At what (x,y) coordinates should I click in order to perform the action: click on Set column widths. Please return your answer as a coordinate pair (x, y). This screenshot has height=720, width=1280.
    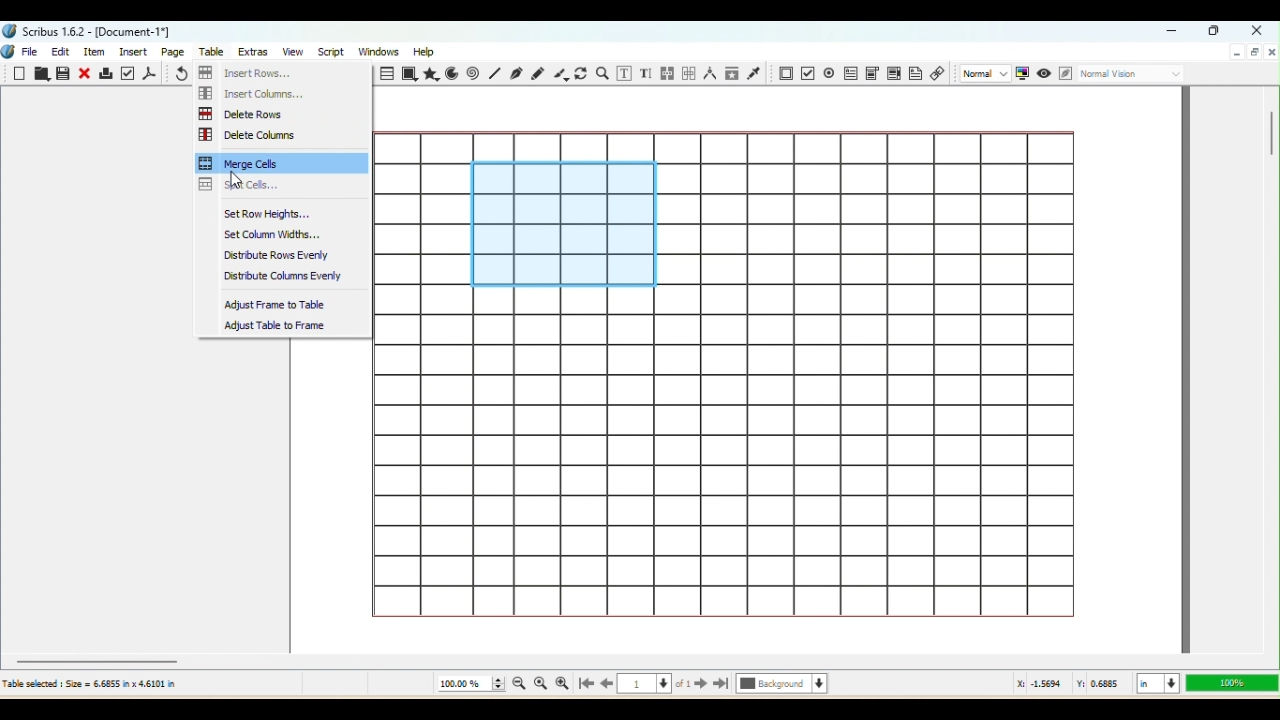
    Looking at the image, I should click on (278, 234).